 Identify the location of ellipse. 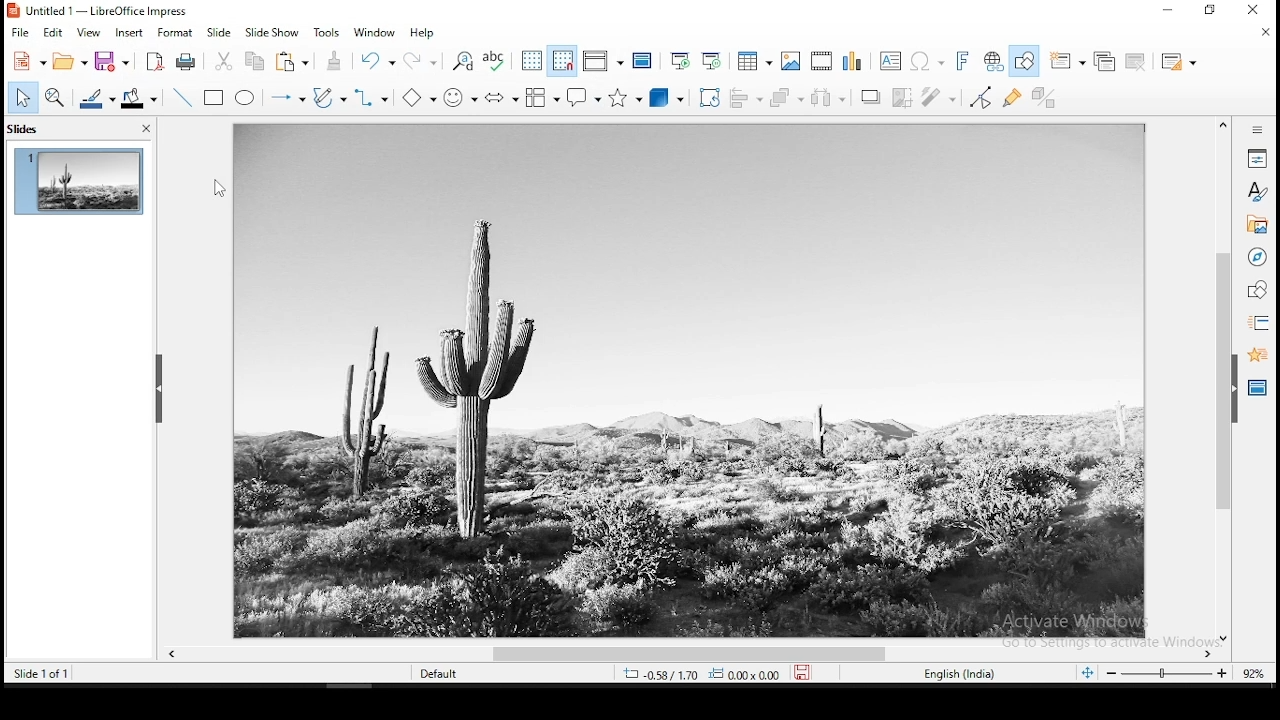
(246, 98).